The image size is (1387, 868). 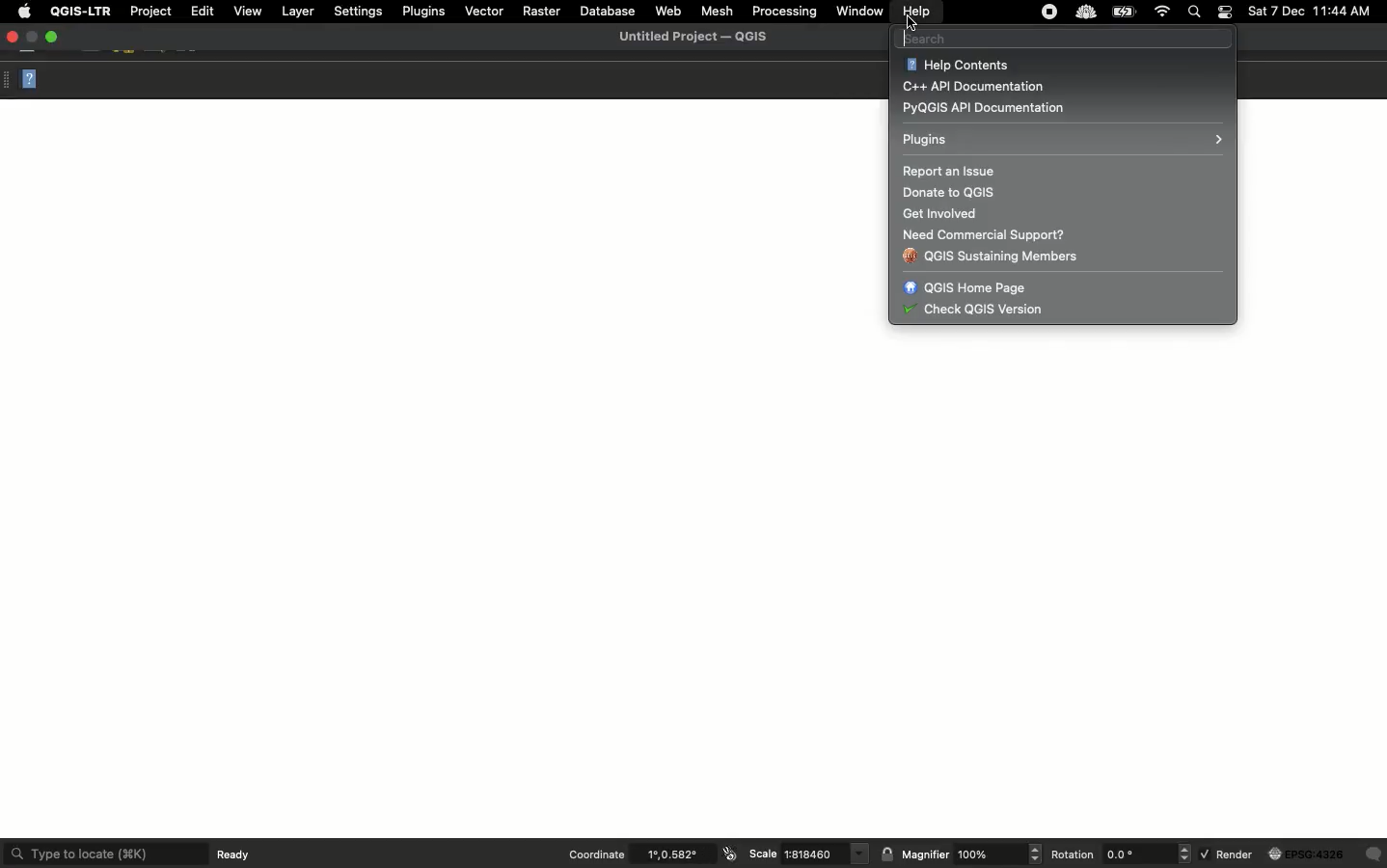 I want to click on Raster, so click(x=542, y=10).